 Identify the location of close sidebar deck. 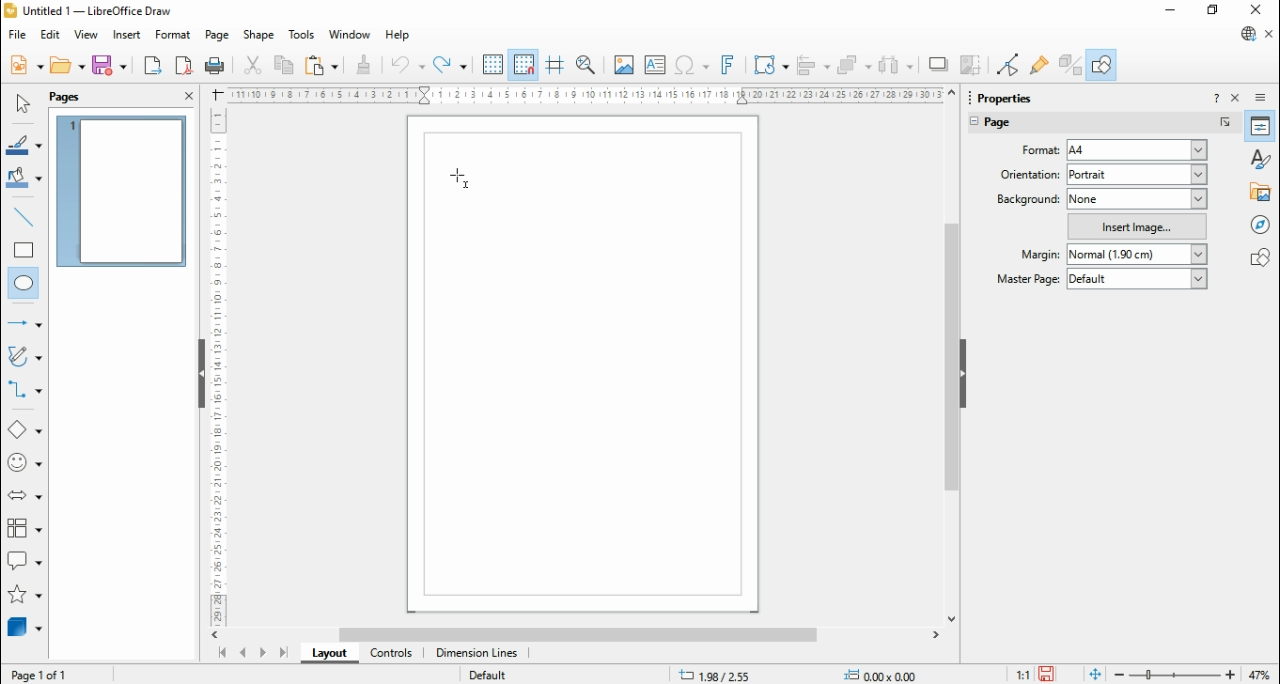
(1237, 97).